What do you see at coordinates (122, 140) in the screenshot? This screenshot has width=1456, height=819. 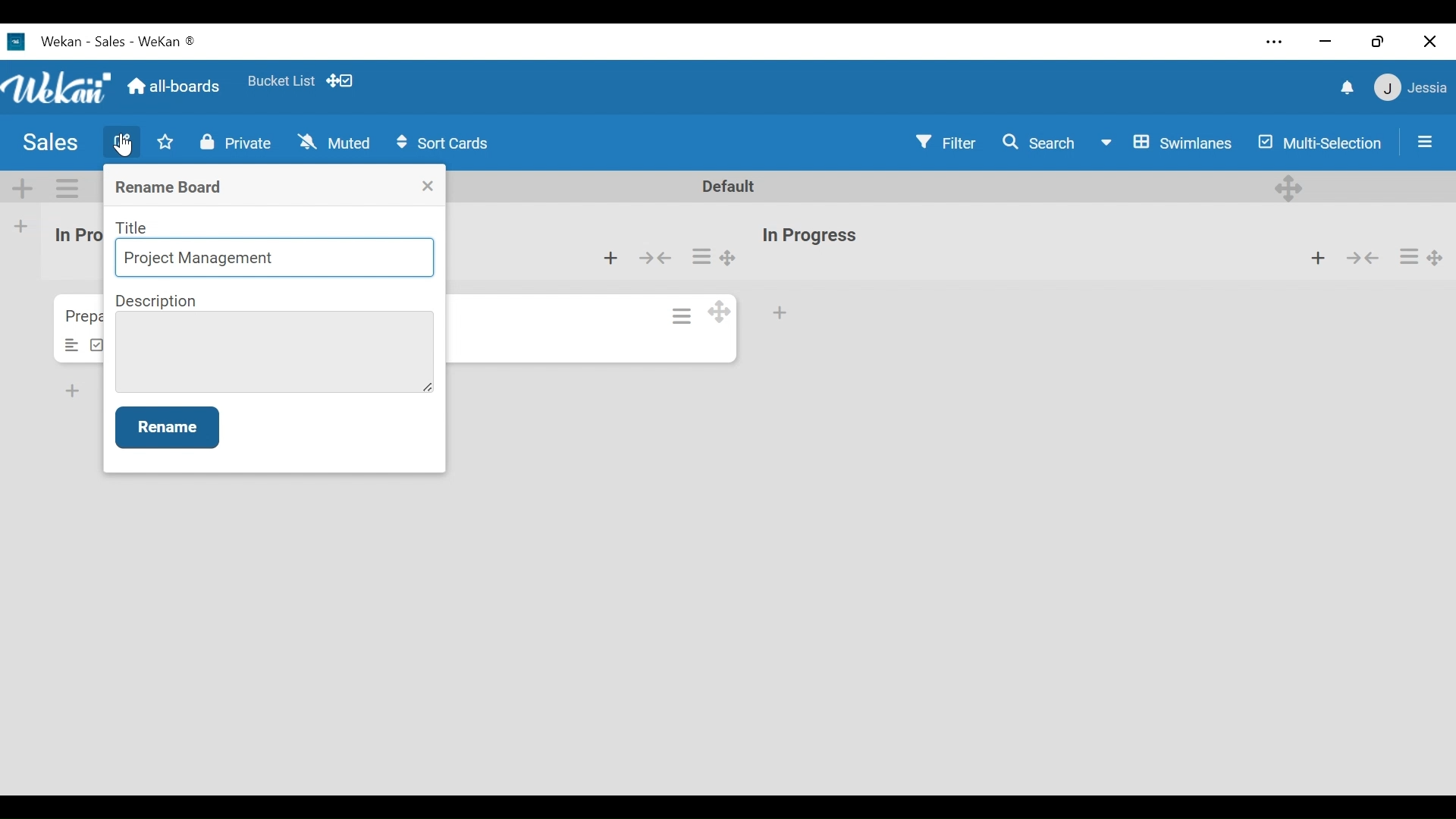 I see `Edit` at bounding box center [122, 140].